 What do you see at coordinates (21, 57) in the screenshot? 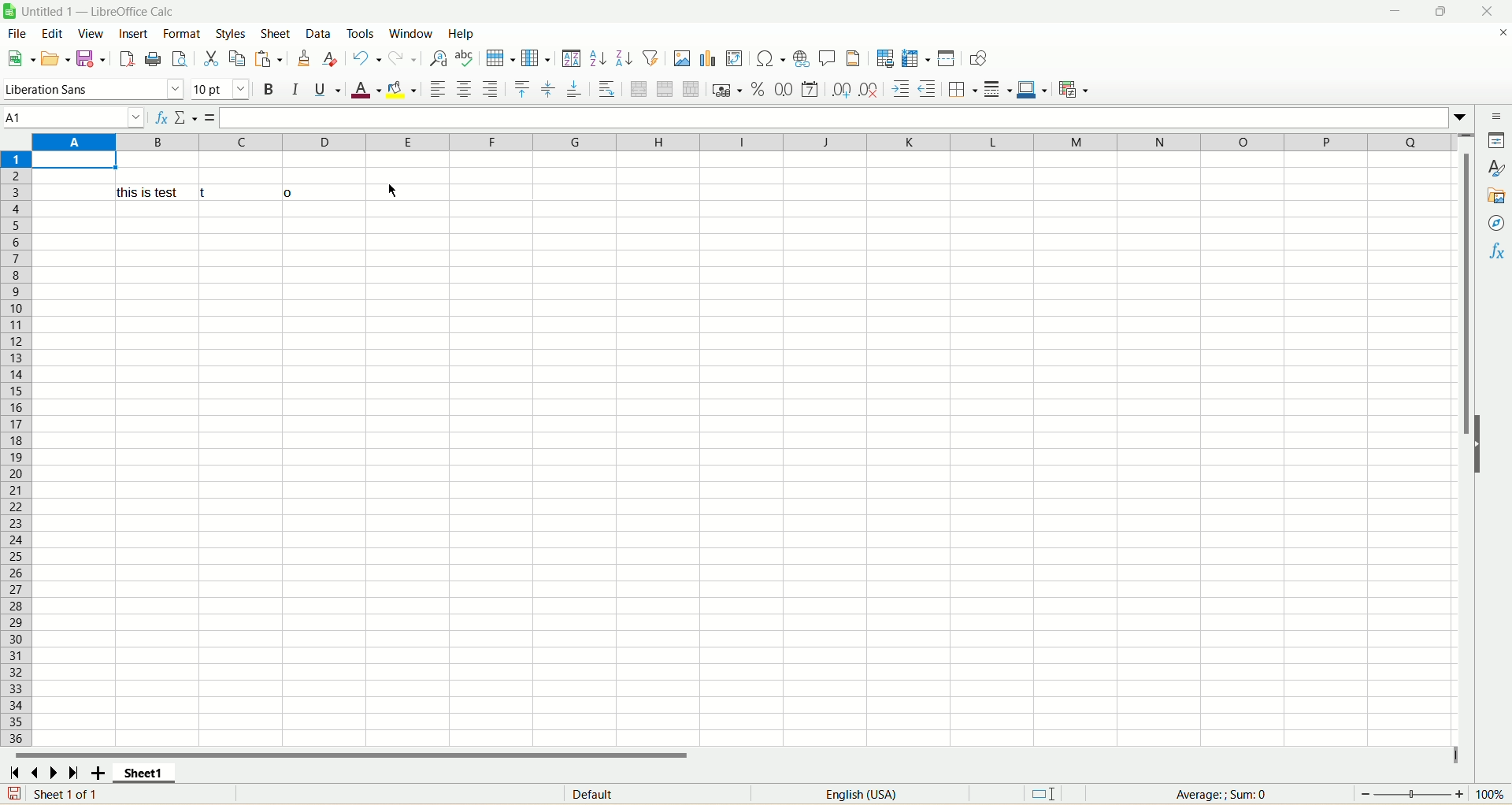
I see `new` at bounding box center [21, 57].